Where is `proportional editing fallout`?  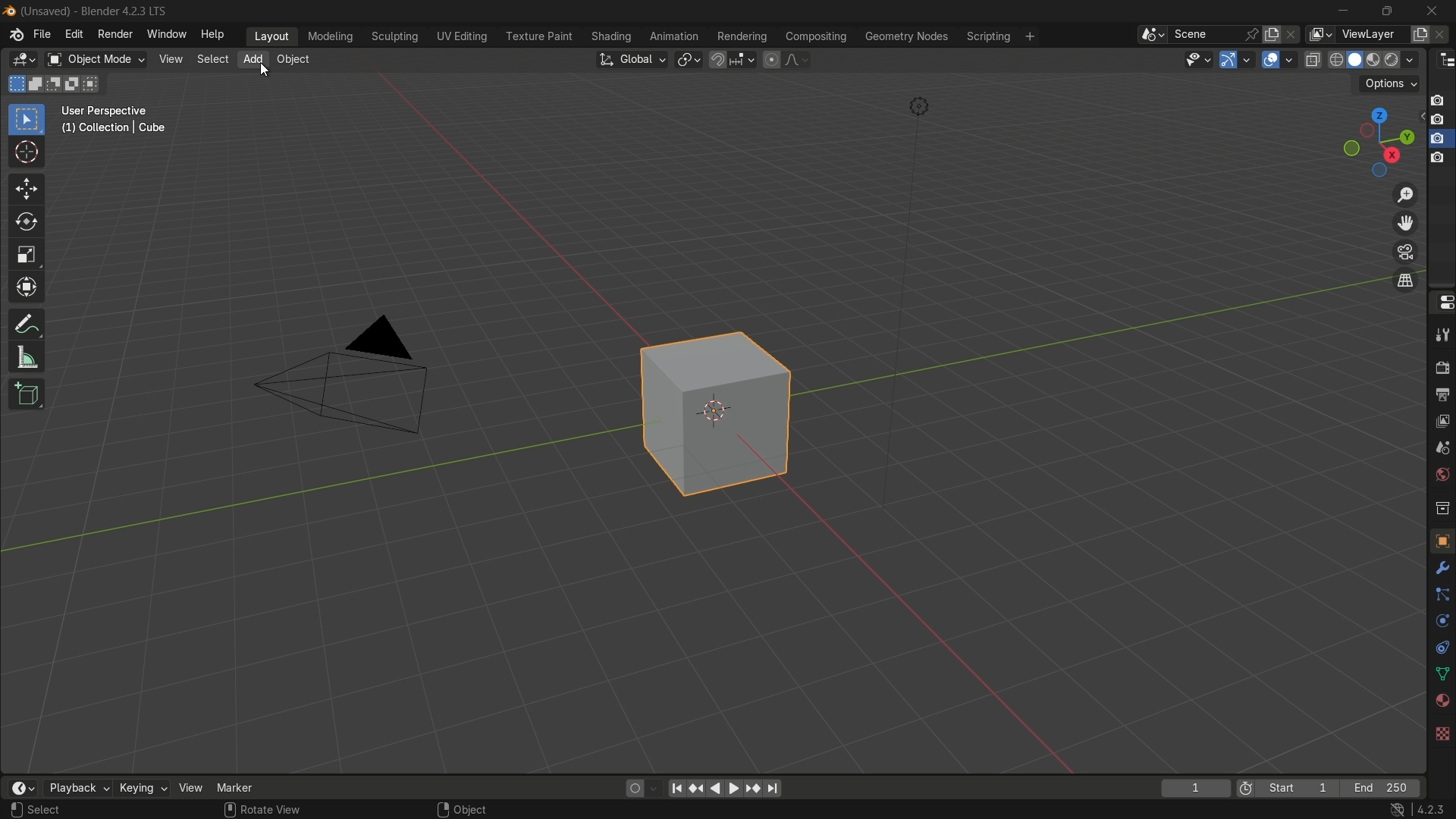
proportional editing fallout is located at coordinates (794, 59).